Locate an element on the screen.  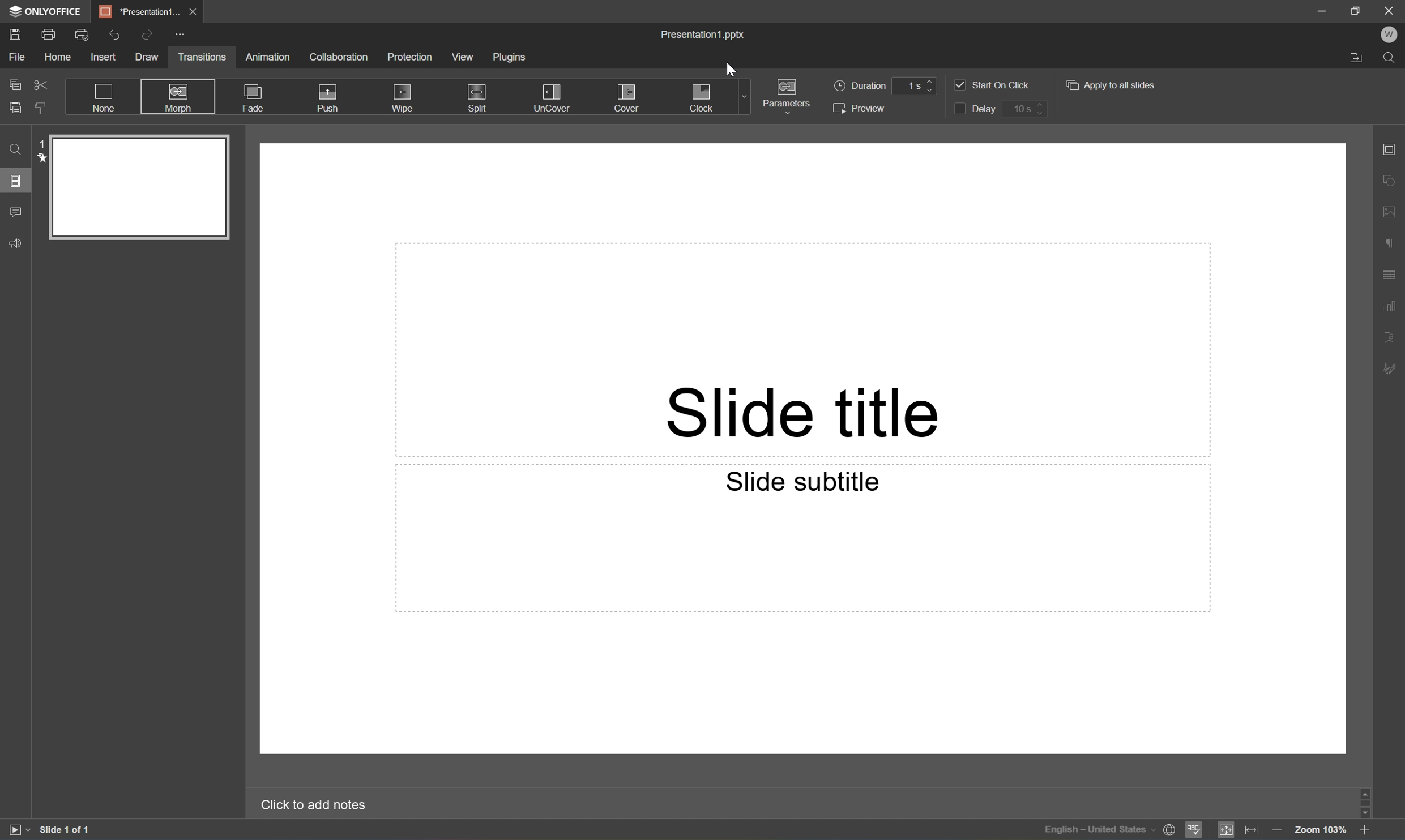
1s is located at coordinates (915, 84).